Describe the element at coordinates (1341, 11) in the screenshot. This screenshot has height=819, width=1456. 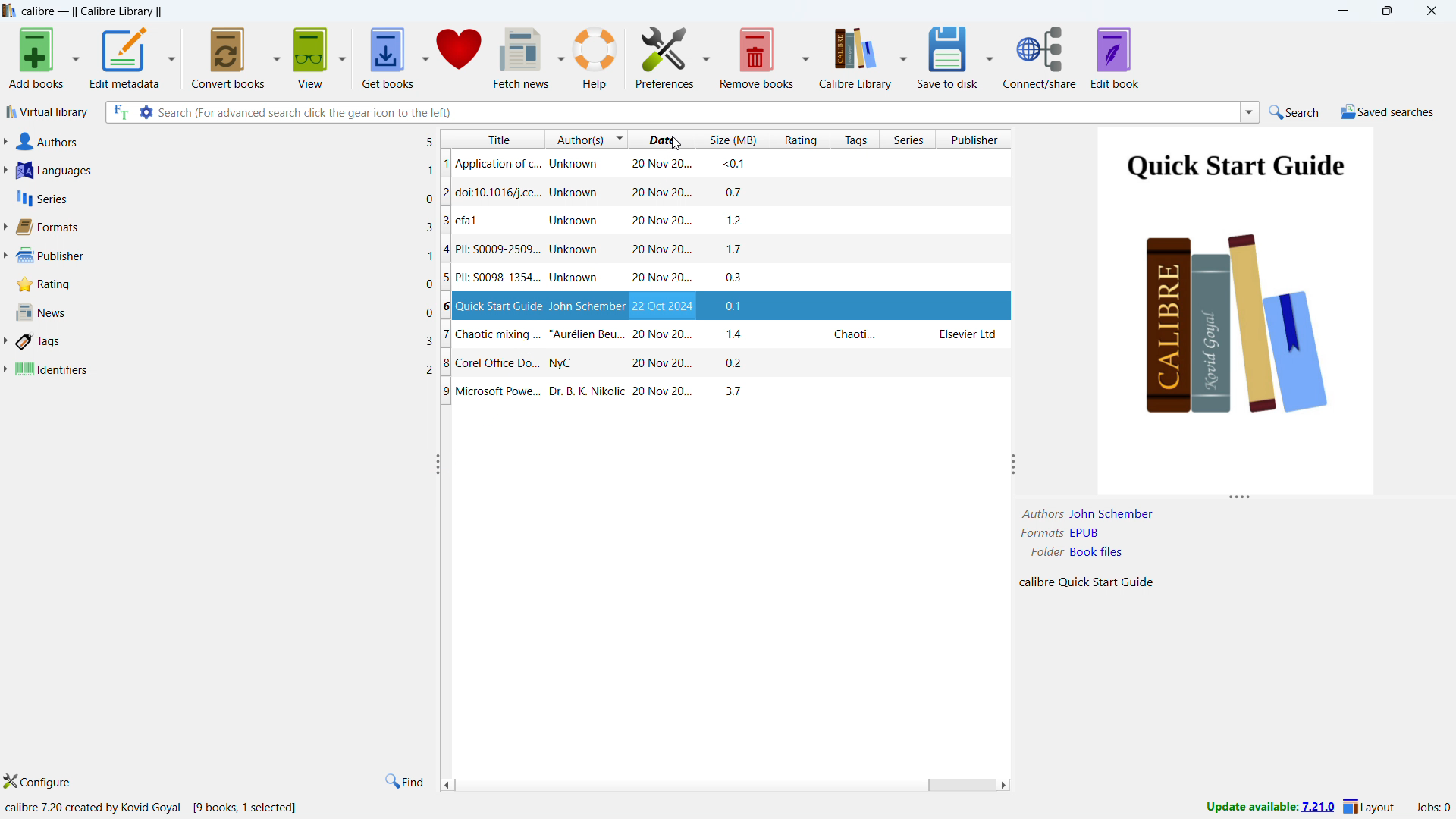
I see `minimize` at that location.